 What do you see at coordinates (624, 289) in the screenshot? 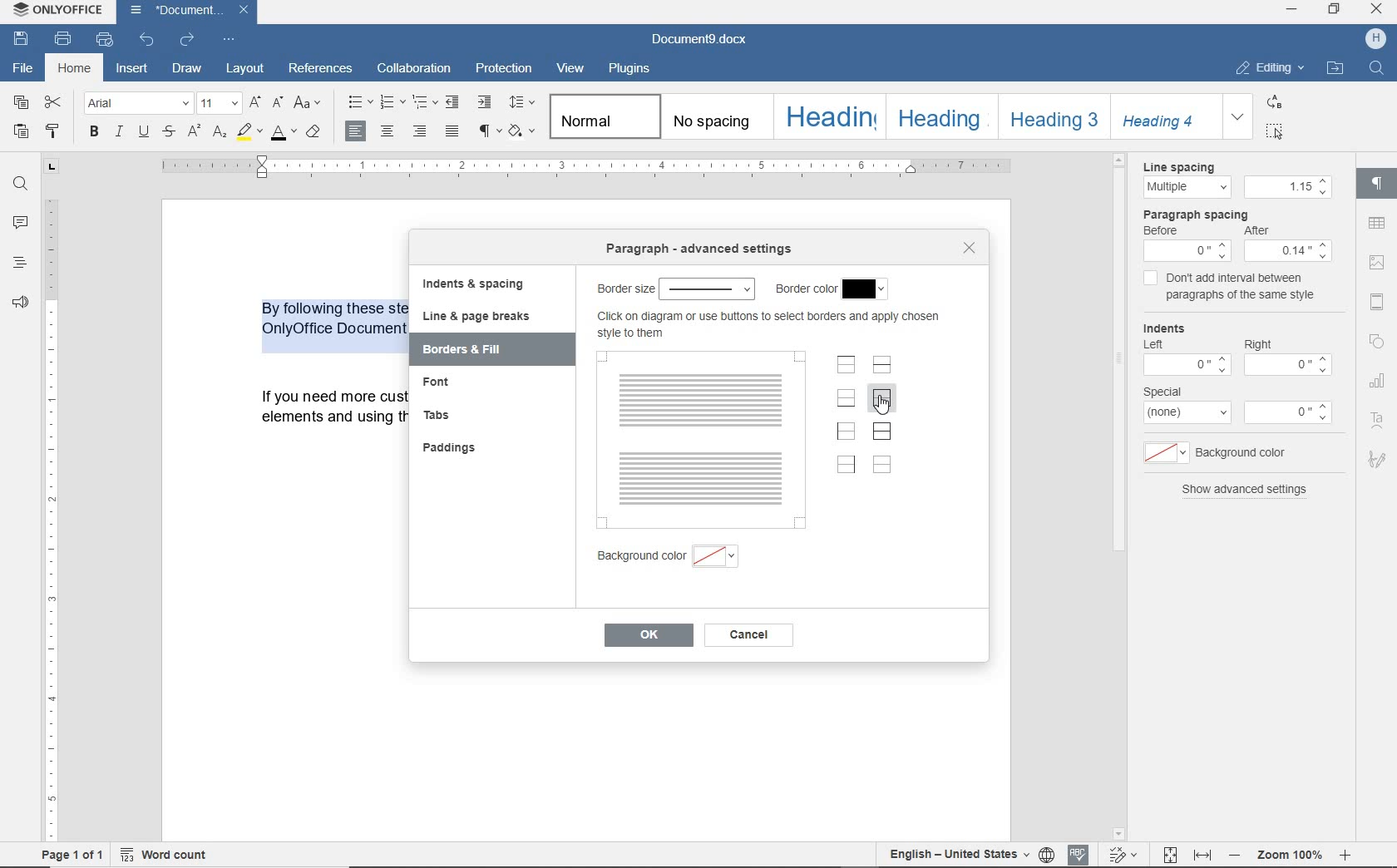
I see `border size` at bounding box center [624, 289].